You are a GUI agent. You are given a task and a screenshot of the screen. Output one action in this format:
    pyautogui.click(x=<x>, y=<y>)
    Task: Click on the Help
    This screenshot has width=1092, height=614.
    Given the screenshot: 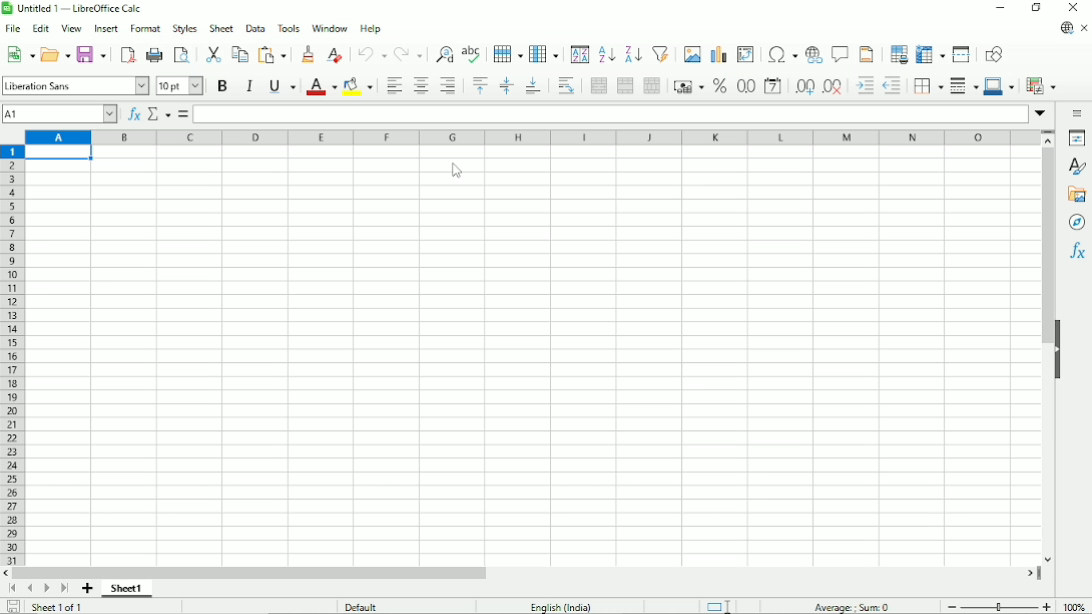 What is the action you would take?
    pyautogui.click(x=371, y=29)
    